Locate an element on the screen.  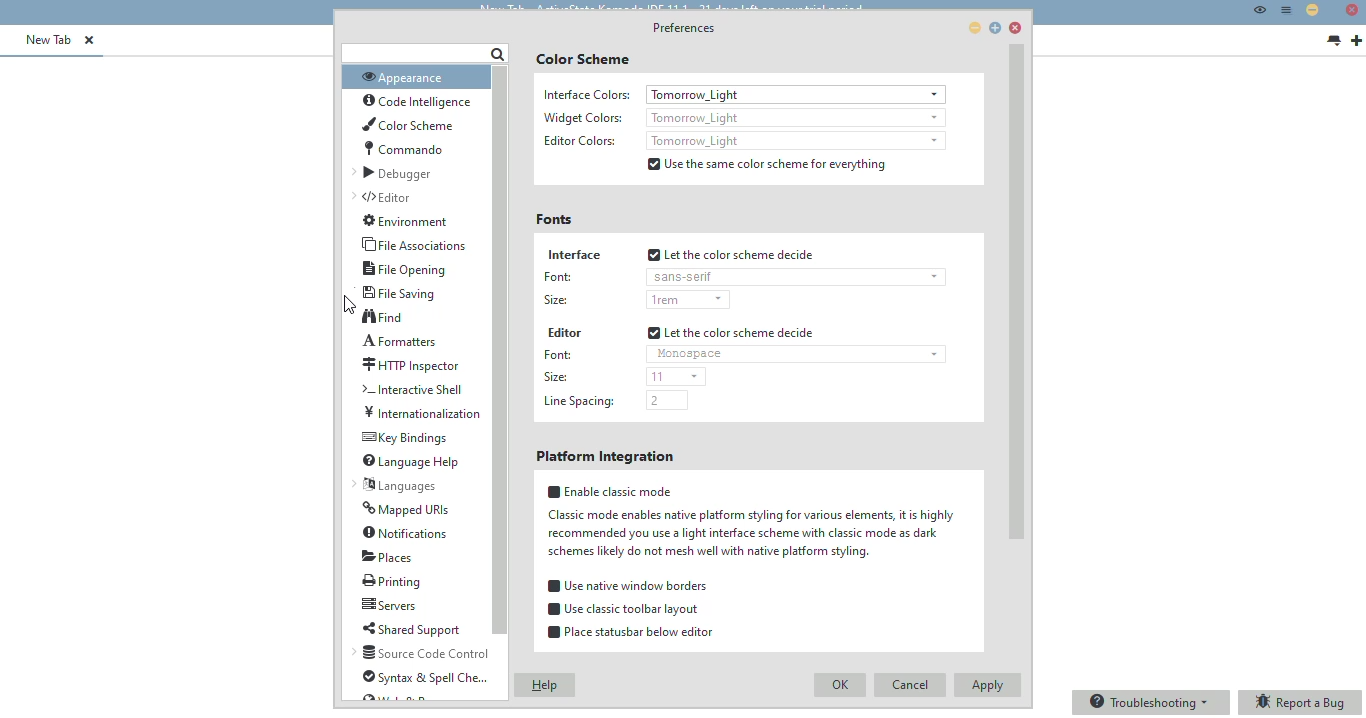
line spacing: 2 is located at coordinates (612, 401).